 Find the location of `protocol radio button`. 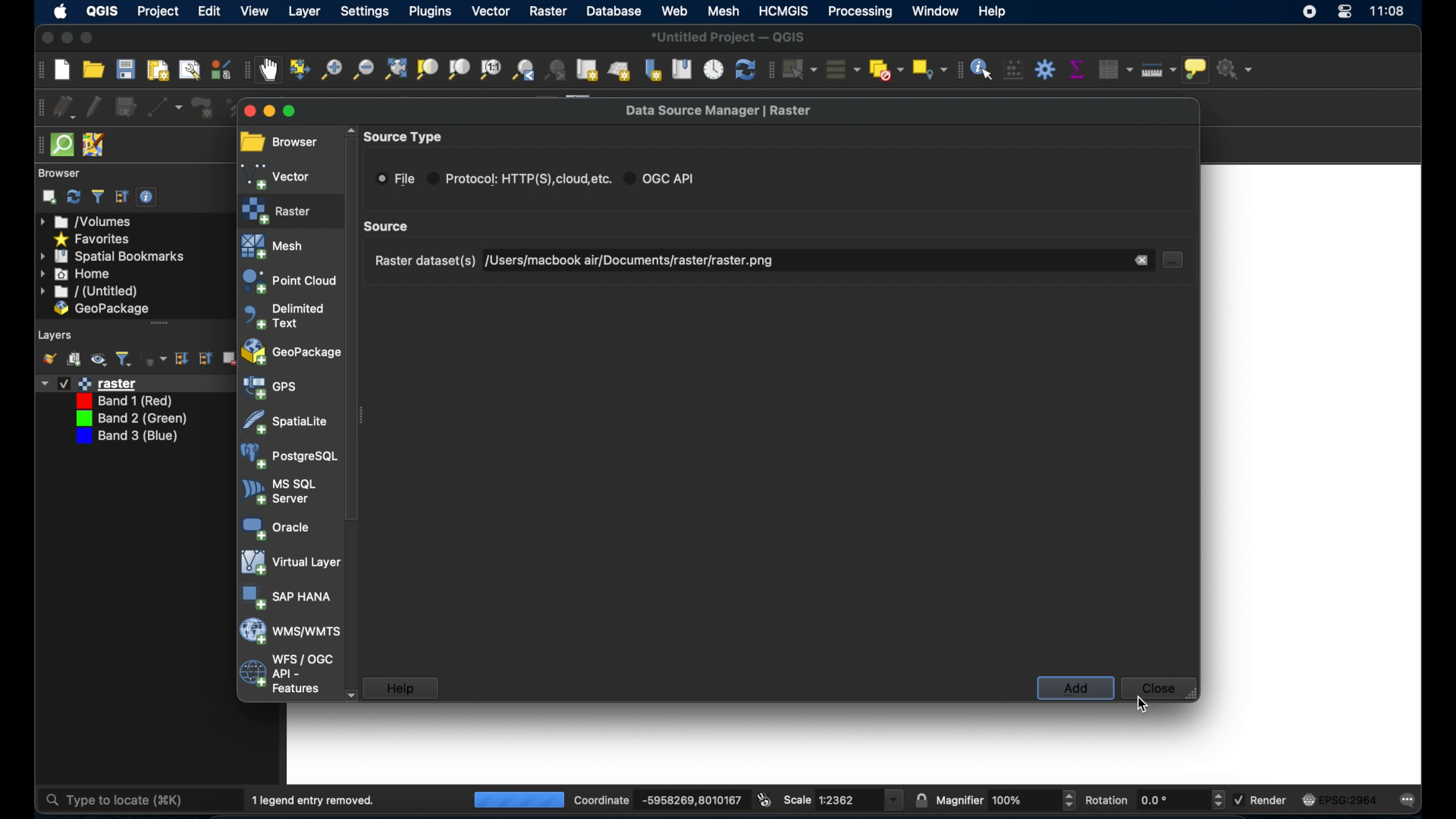

protocol radio button is located at coordinates (519, 178).